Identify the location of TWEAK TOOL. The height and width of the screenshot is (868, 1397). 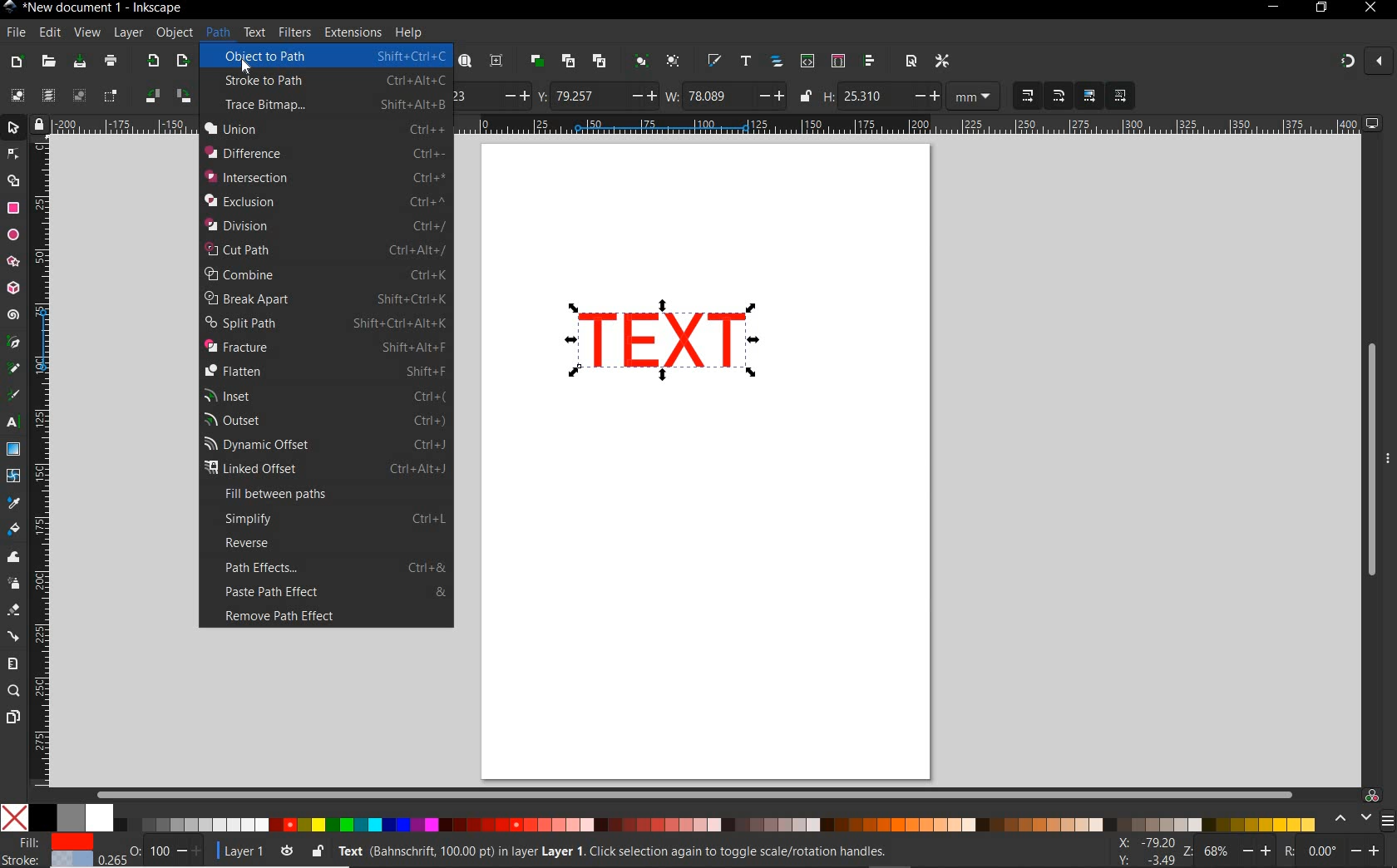
(15, 558).